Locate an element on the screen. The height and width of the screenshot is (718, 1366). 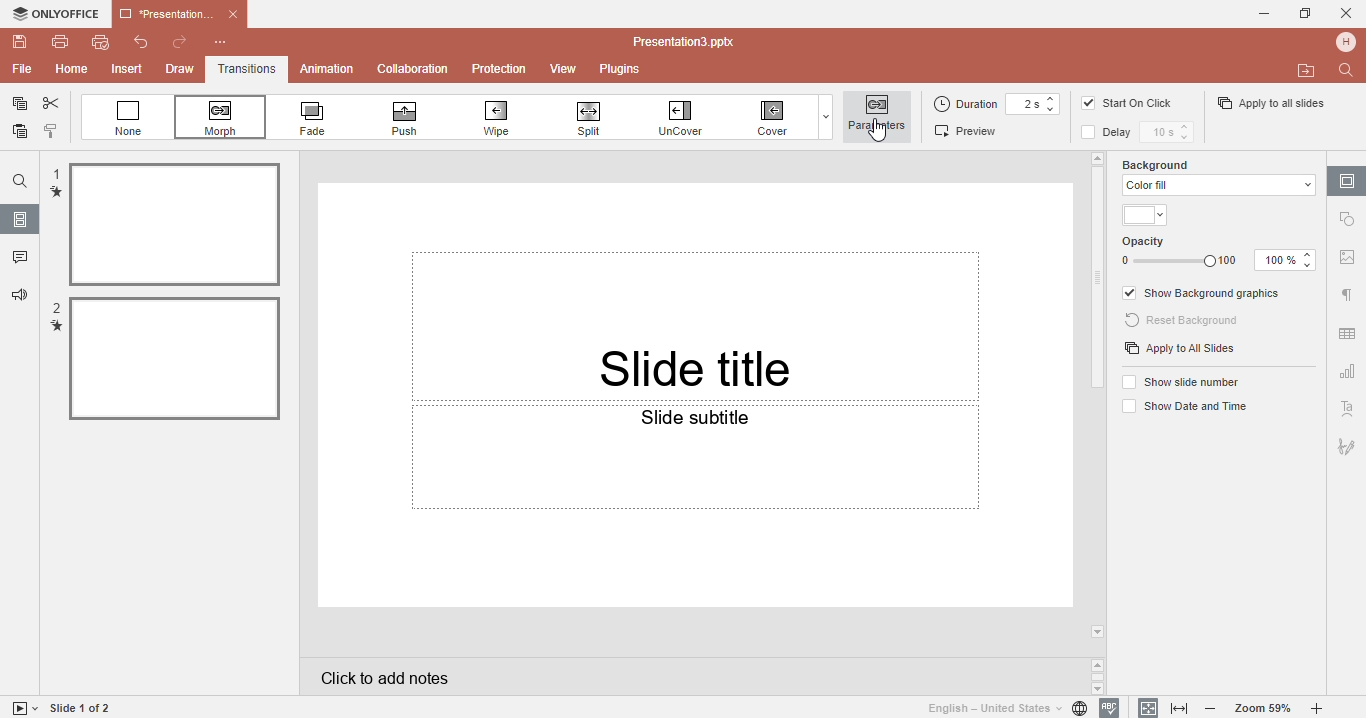
Only office is located at coordinates (54, 14).